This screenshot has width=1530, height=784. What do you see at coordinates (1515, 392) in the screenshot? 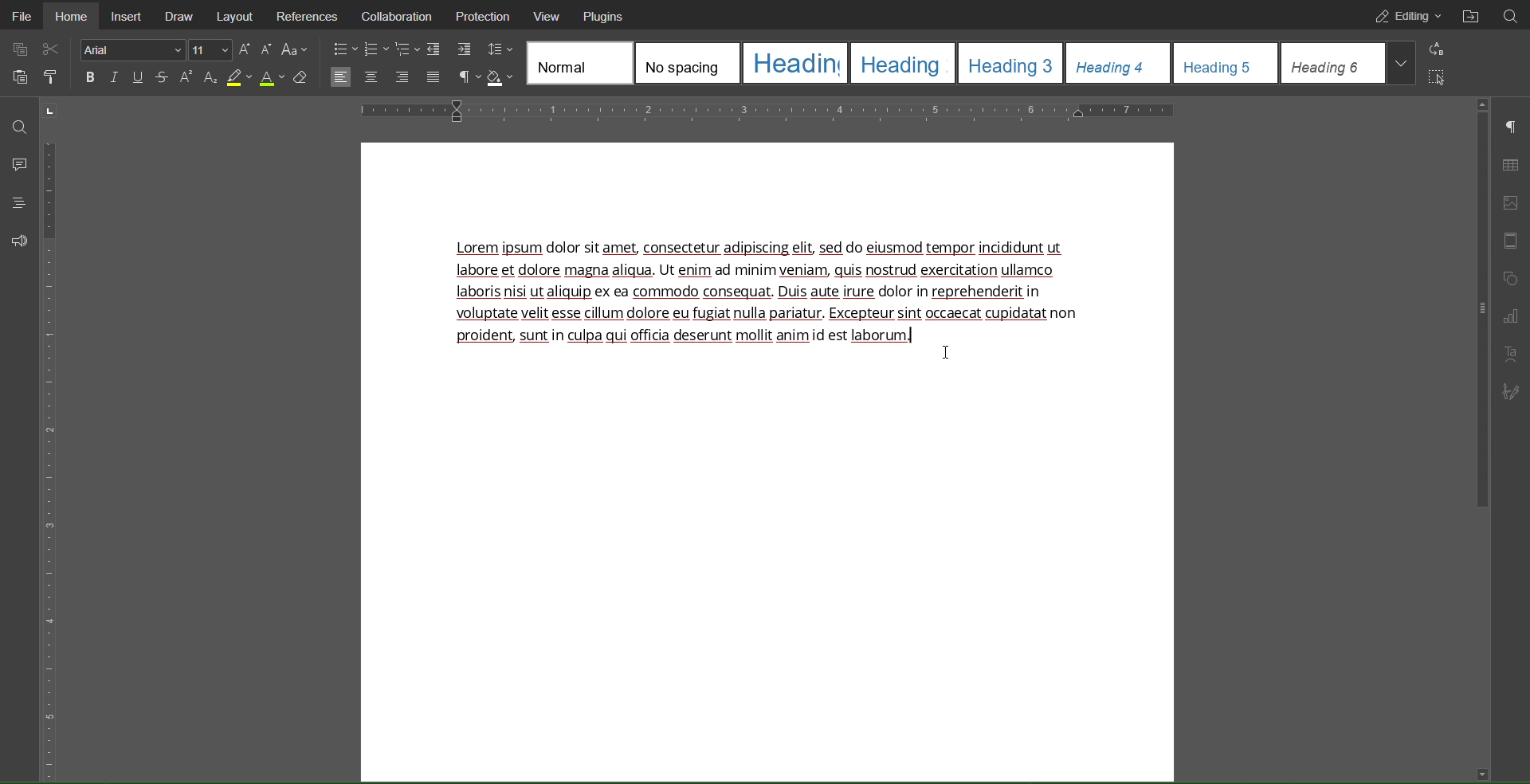
I see `Signature` at bounding box center [1515, 392].